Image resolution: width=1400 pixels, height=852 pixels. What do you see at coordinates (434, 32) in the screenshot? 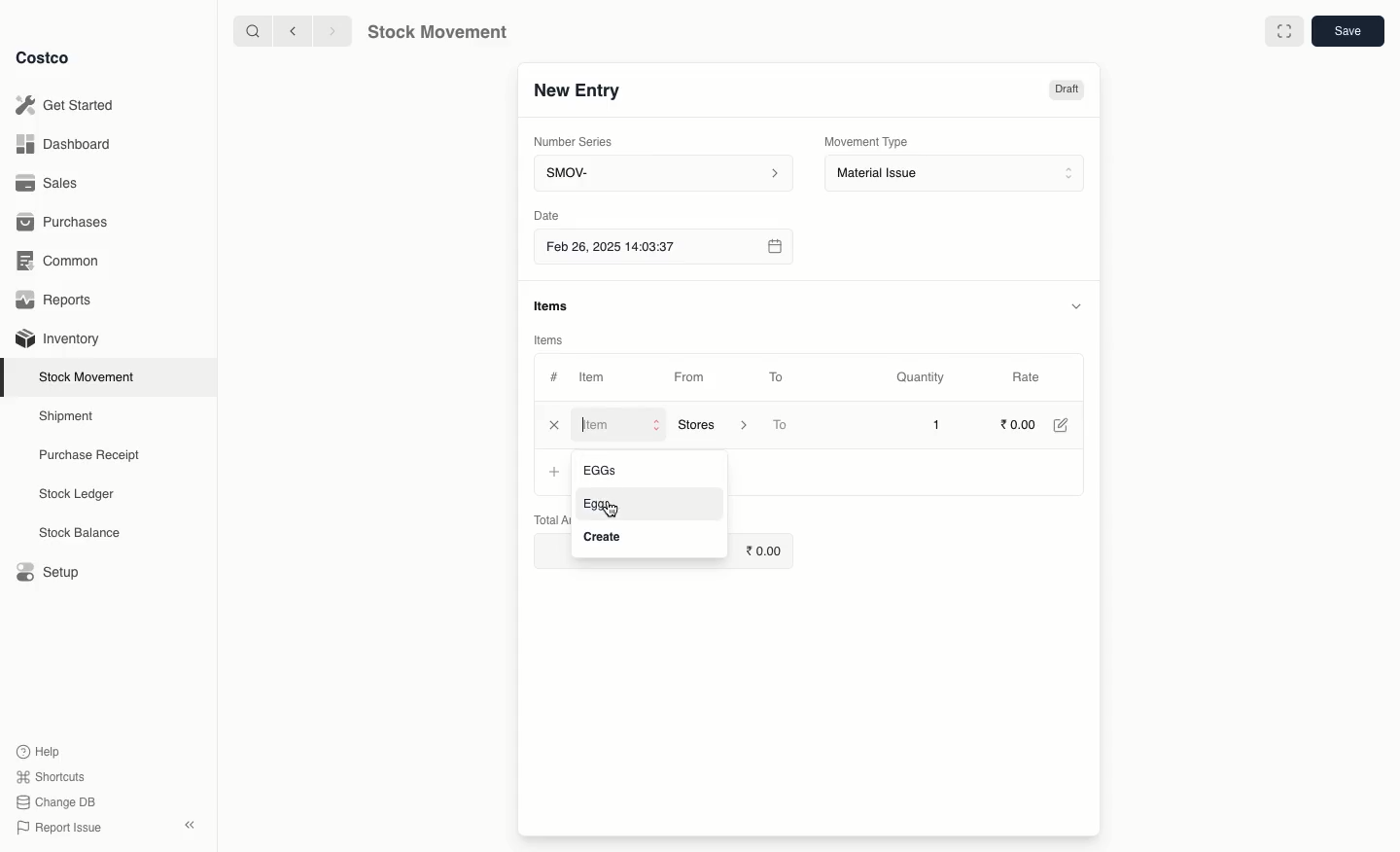
I see `Stock Movement` at bounding box center [434, 32].